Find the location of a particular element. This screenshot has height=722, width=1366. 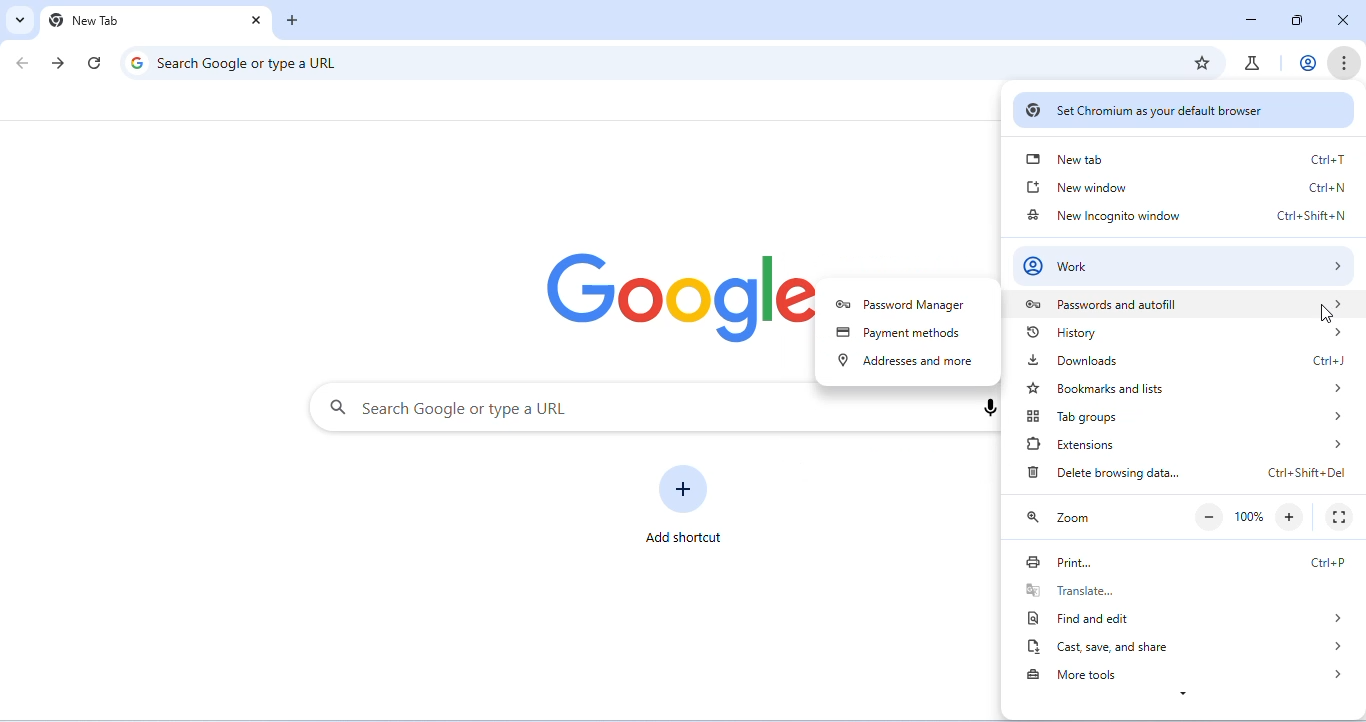

search tabs is located at coordinates (20, 21).